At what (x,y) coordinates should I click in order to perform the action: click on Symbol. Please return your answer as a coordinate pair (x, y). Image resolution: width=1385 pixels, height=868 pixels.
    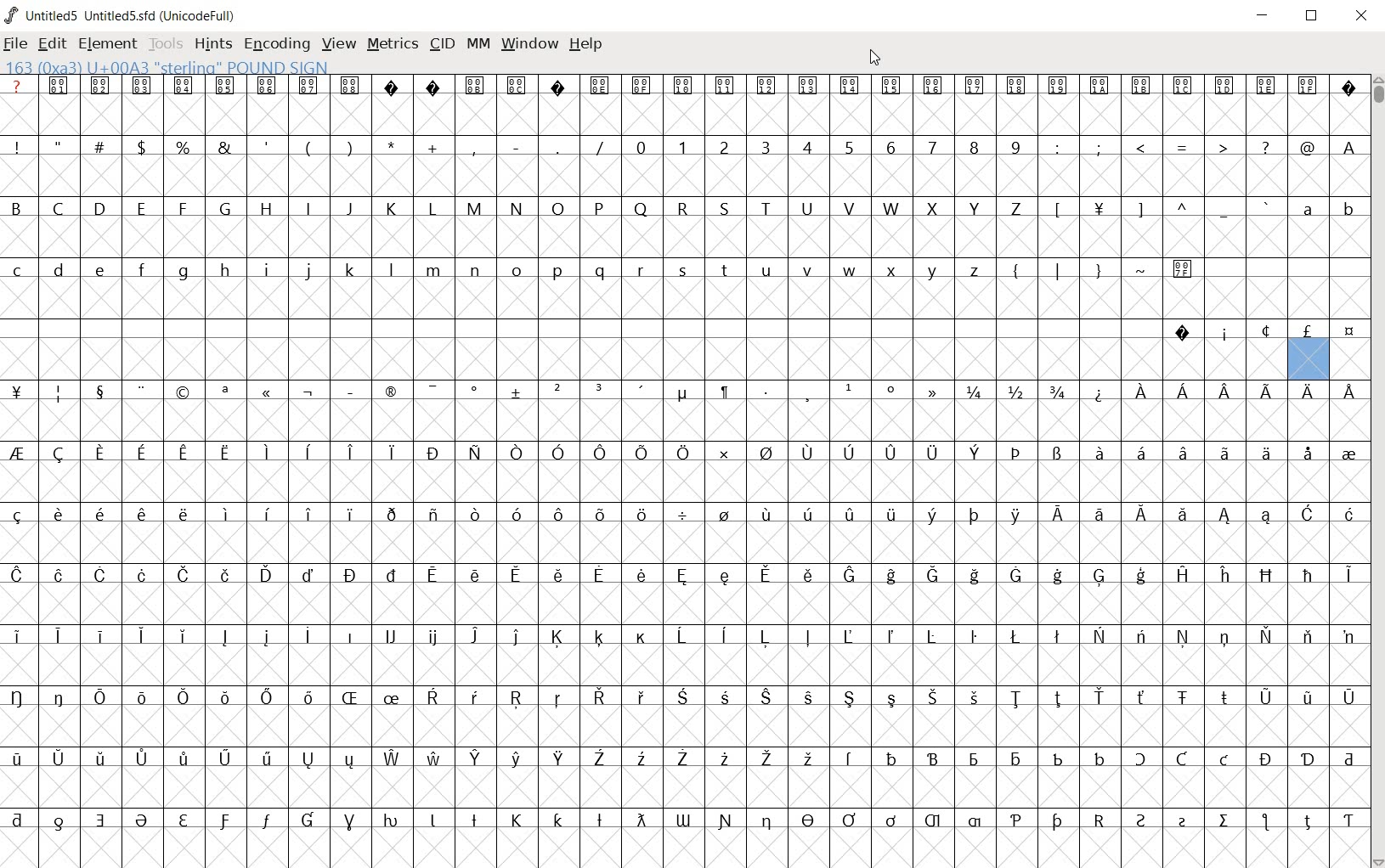
    Looking at the image, I should click on (349, 515).